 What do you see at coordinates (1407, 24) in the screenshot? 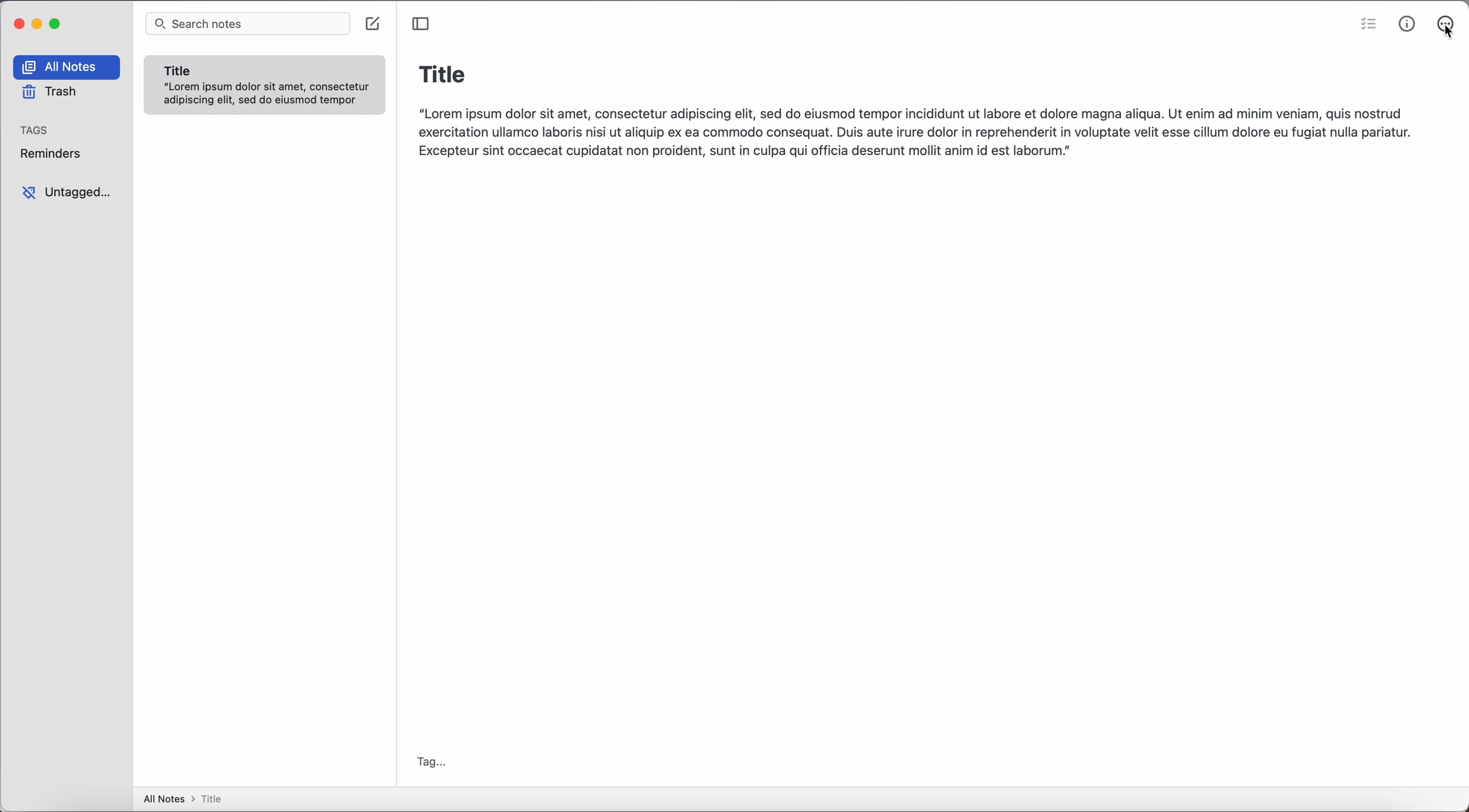
I see `metrics` at bounding box center [1407, 24].